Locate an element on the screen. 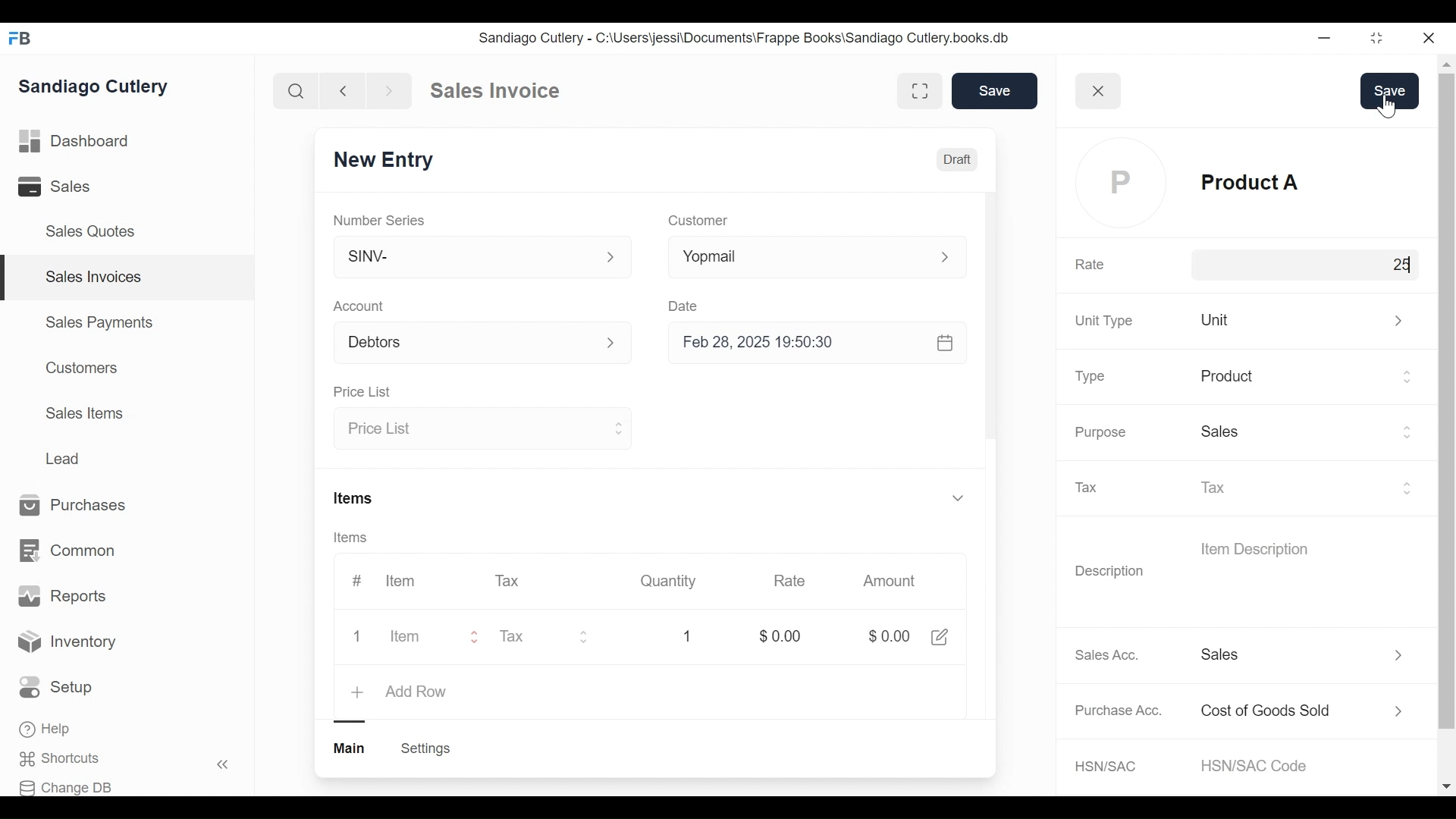 This screenshot has height=819, width=1456. Number Series is located at coordinates (379, 218).